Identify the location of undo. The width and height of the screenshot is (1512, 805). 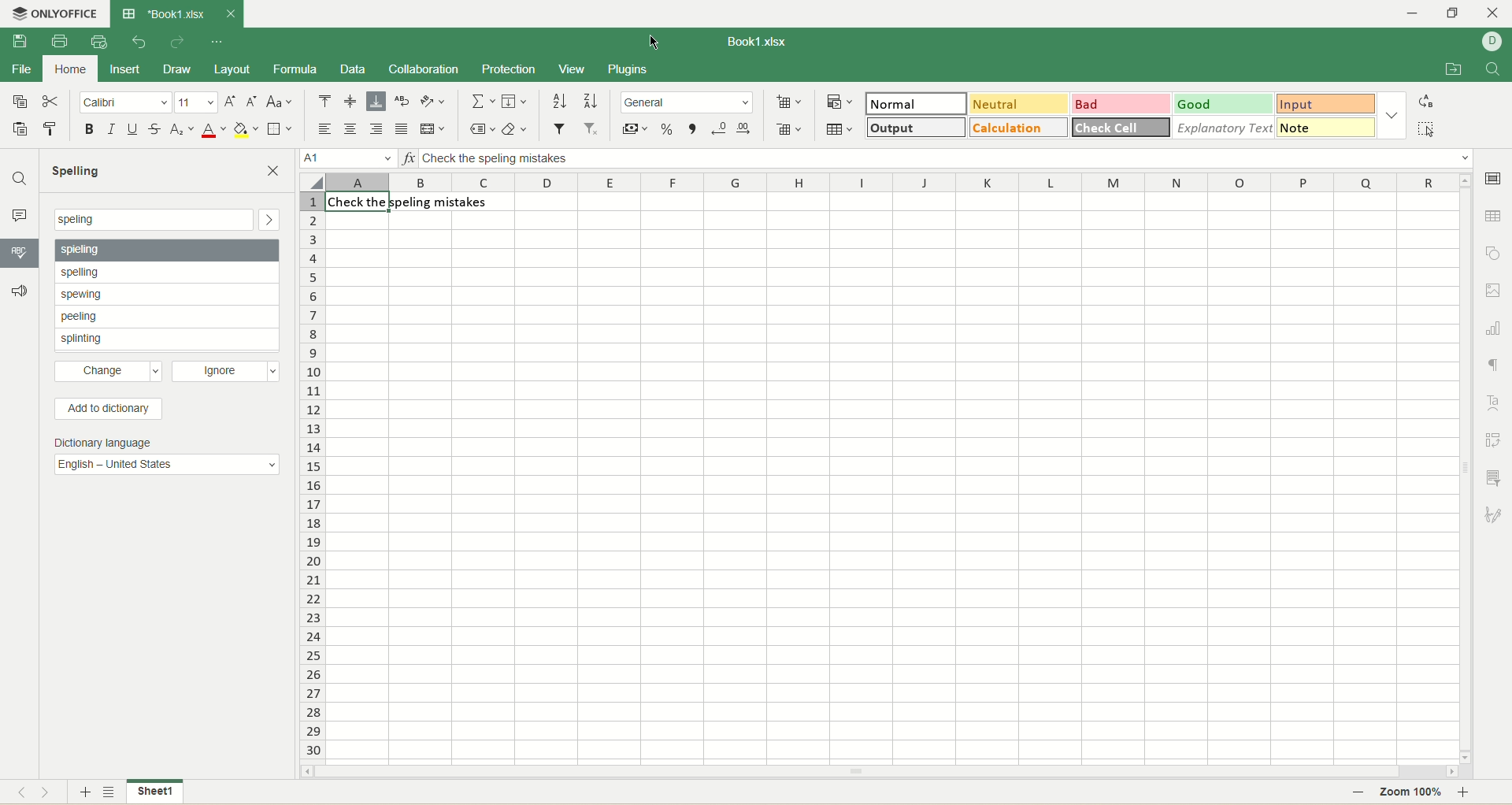
(138, 42).